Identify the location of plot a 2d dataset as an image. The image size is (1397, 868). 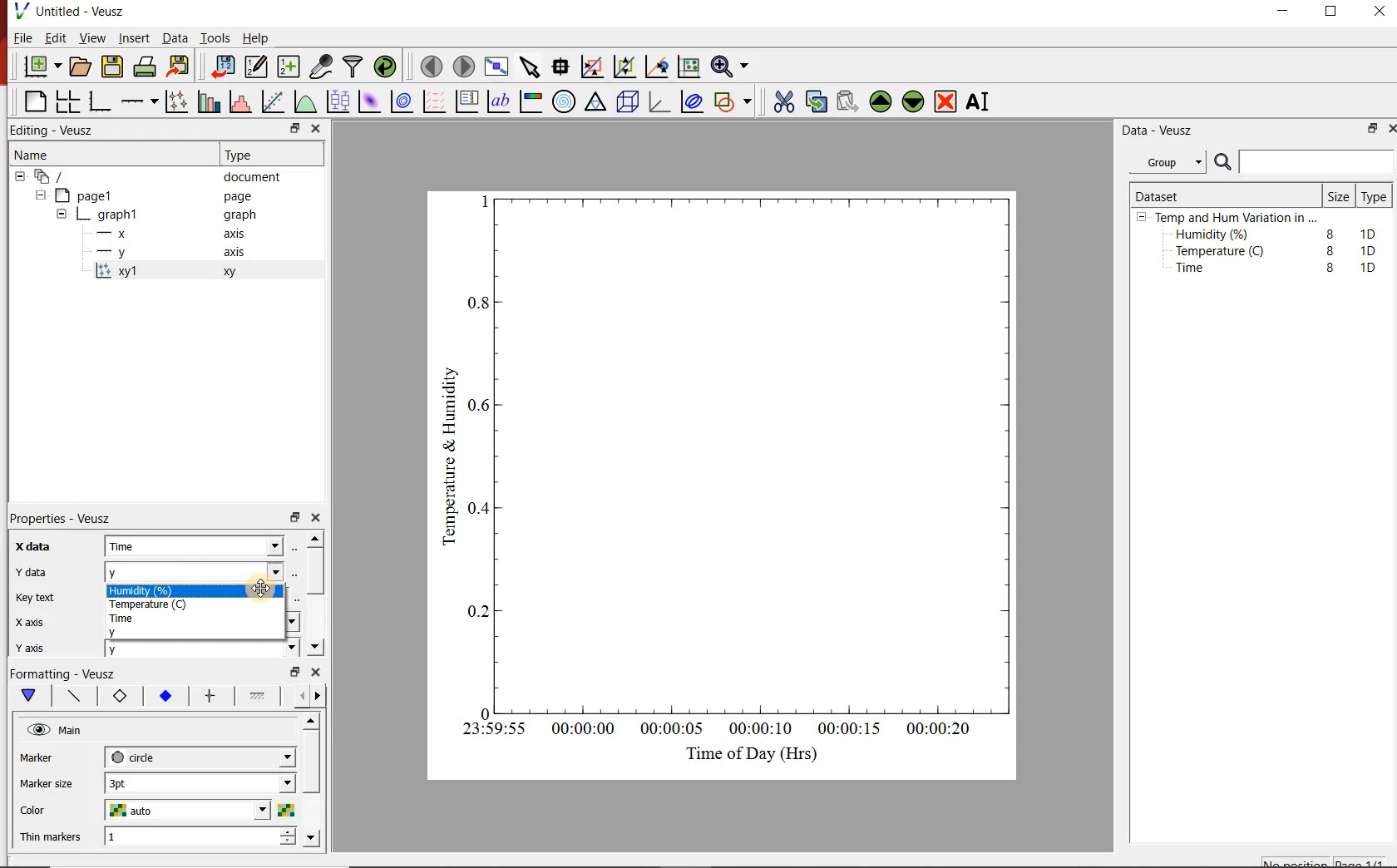
(370, 102).